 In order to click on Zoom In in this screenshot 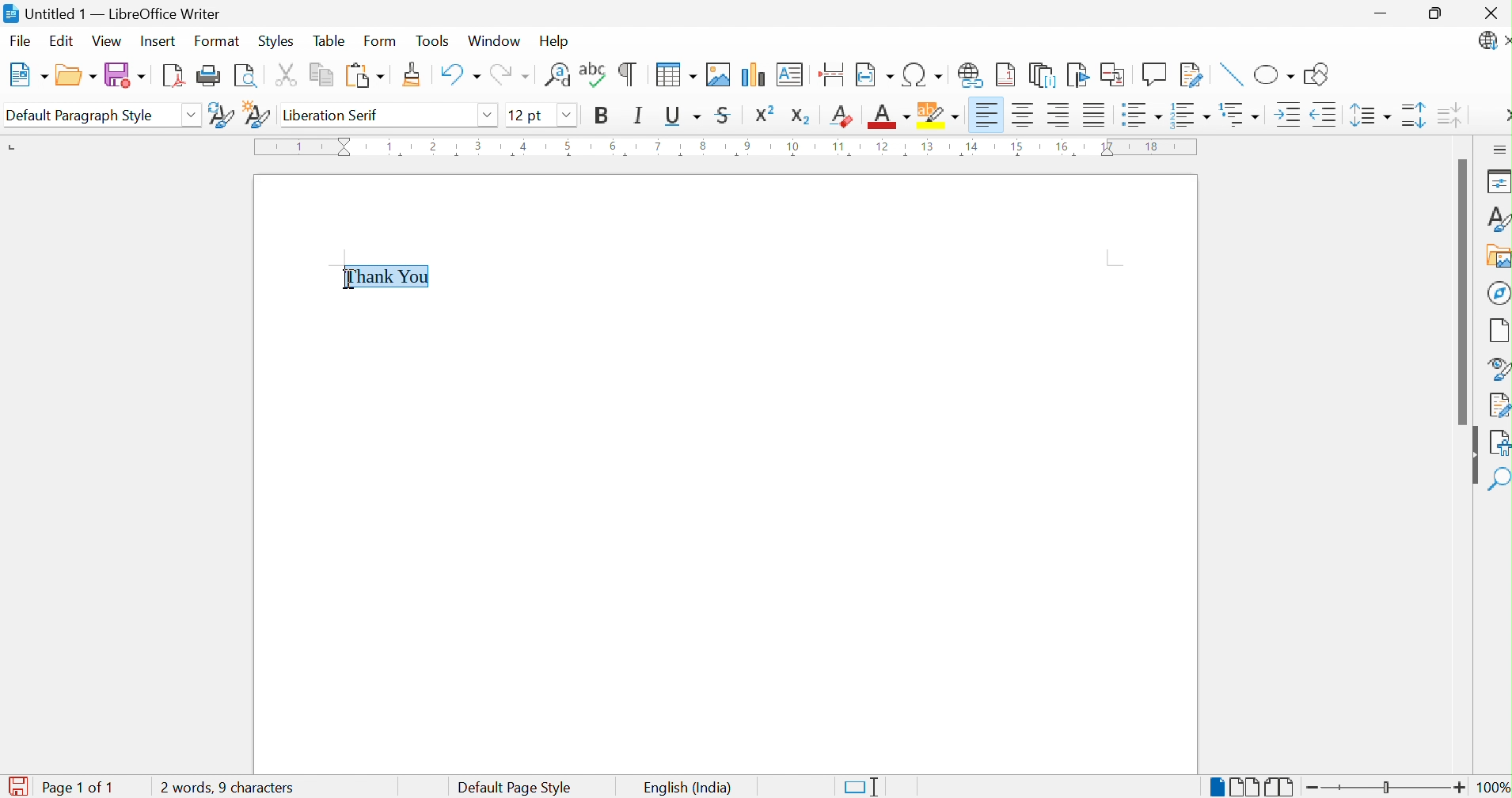, I will do `click(1460, 786)`.